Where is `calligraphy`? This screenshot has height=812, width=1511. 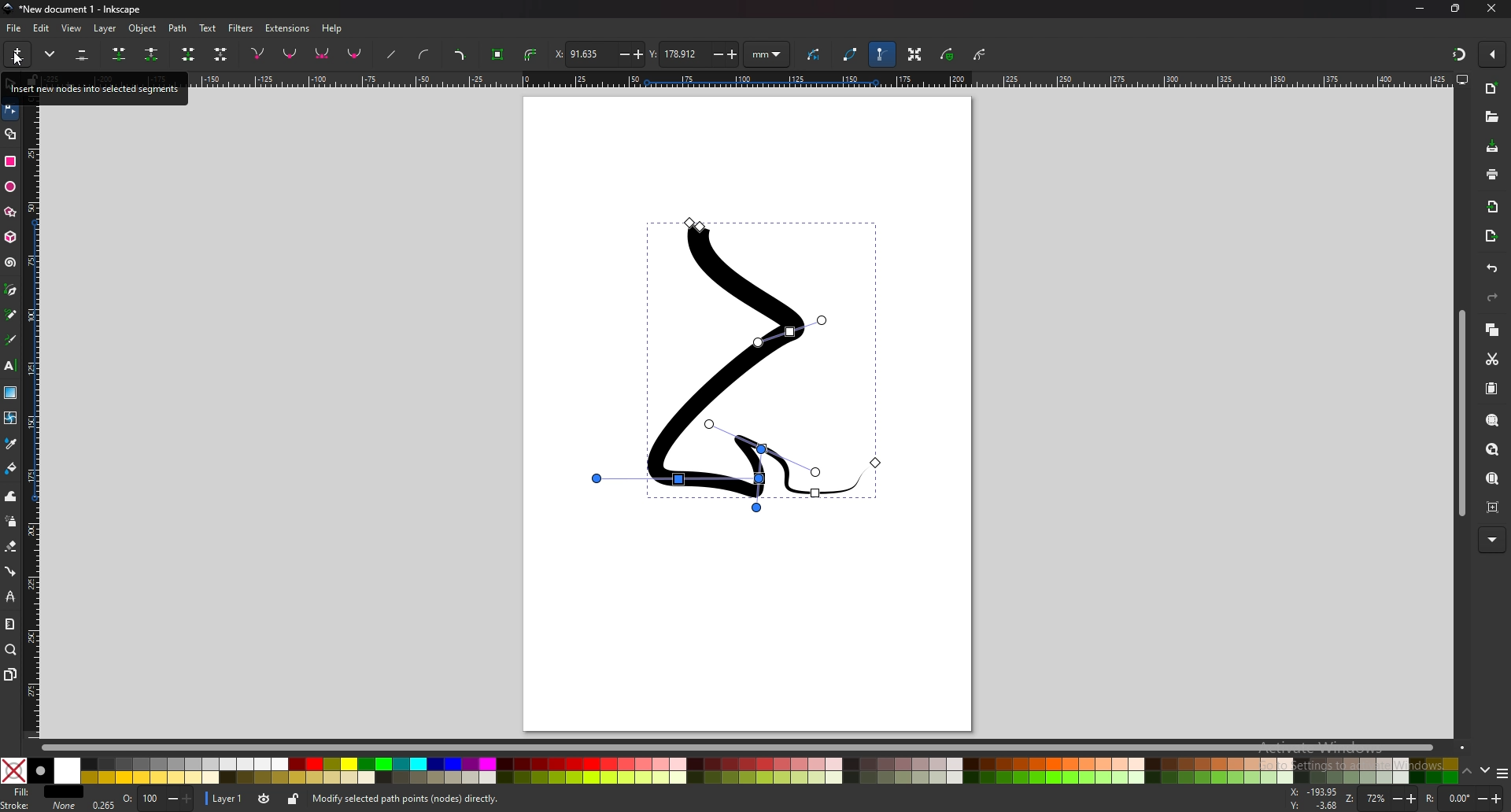
calligraphy is located at coordinates (11, 339).